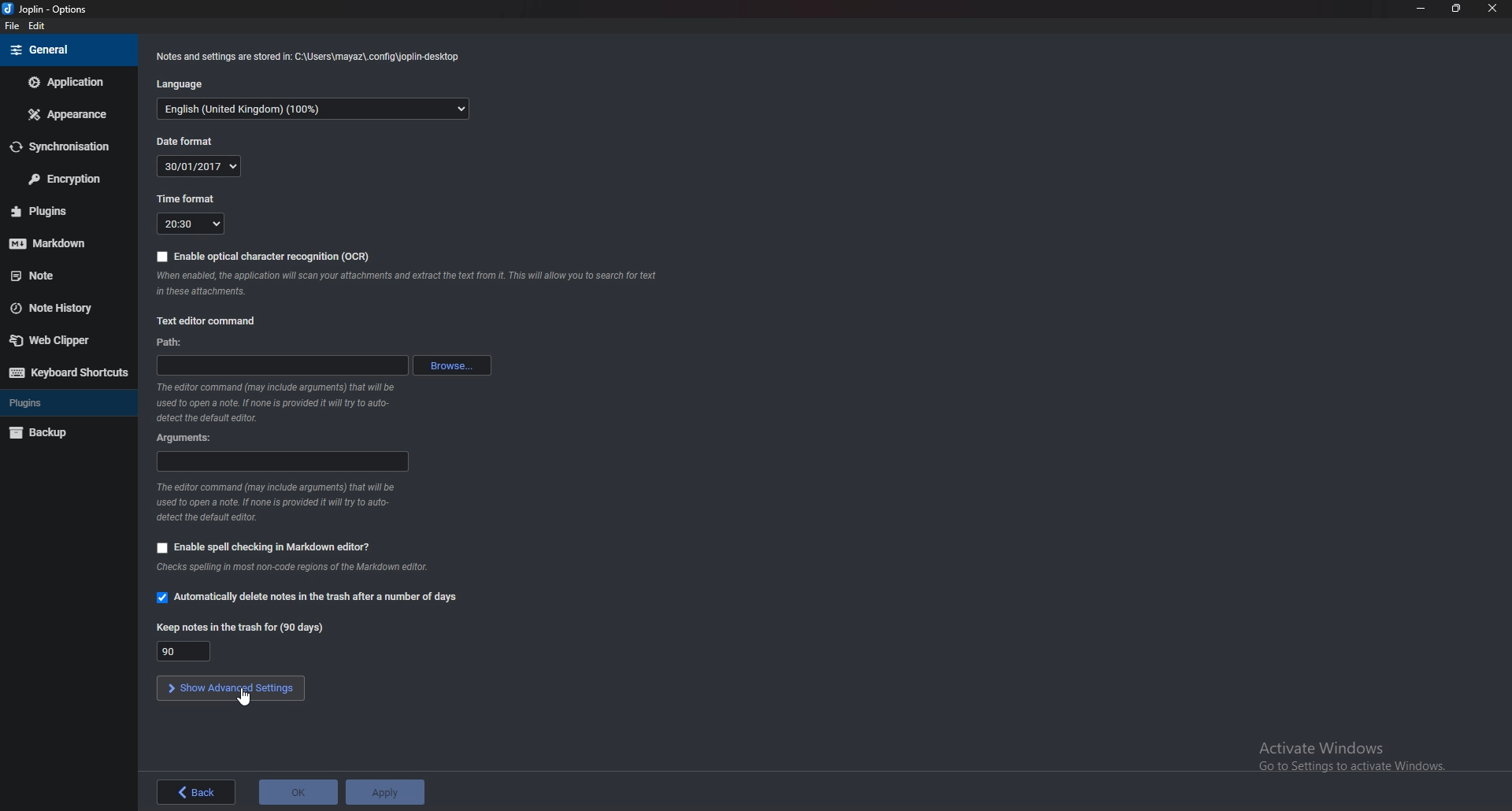  I want to click on Enable O C R, so click(261, 257).